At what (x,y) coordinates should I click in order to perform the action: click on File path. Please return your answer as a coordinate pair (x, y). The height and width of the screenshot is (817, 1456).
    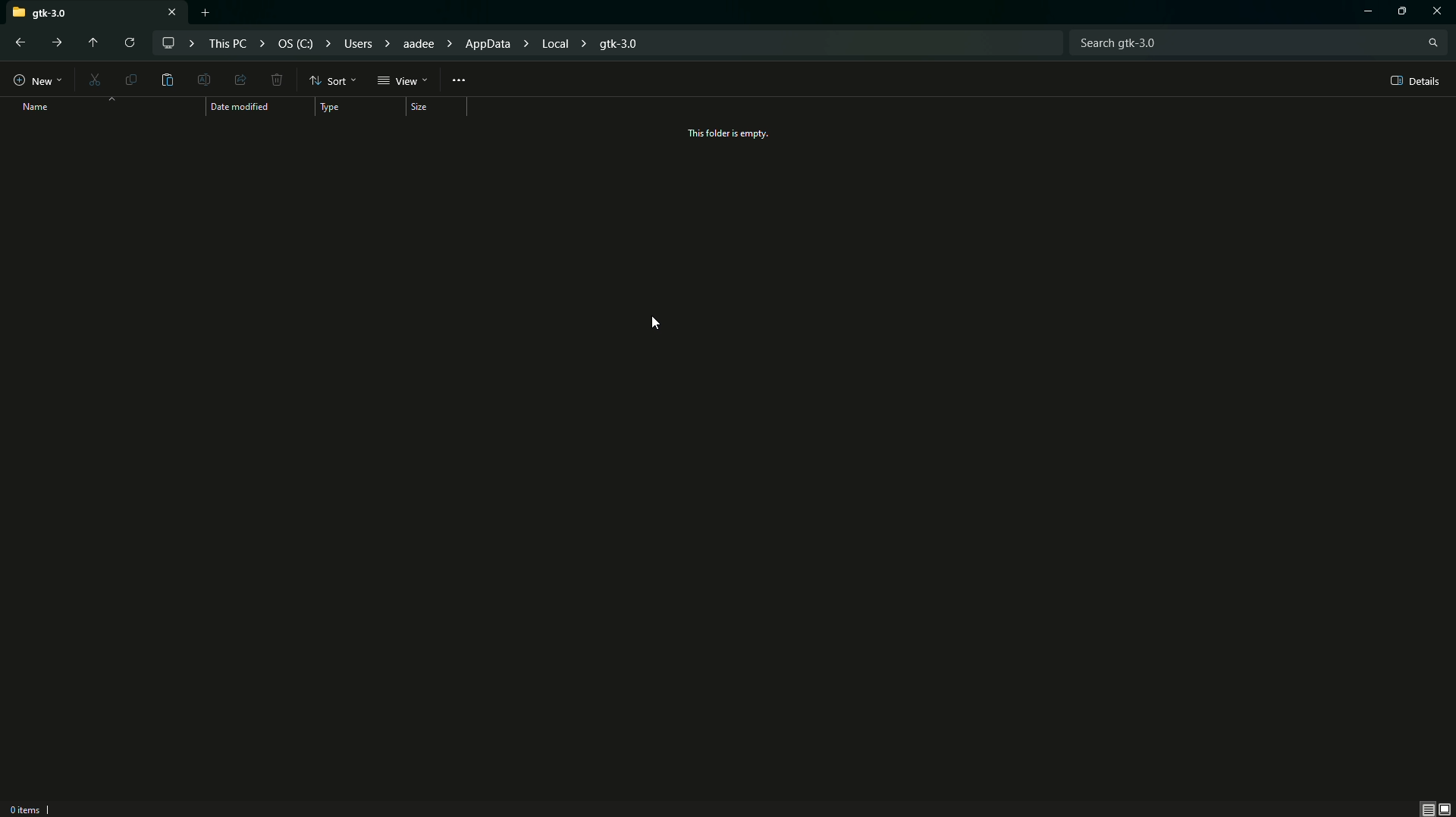
    Looking at the image, I should click on (409, 43).